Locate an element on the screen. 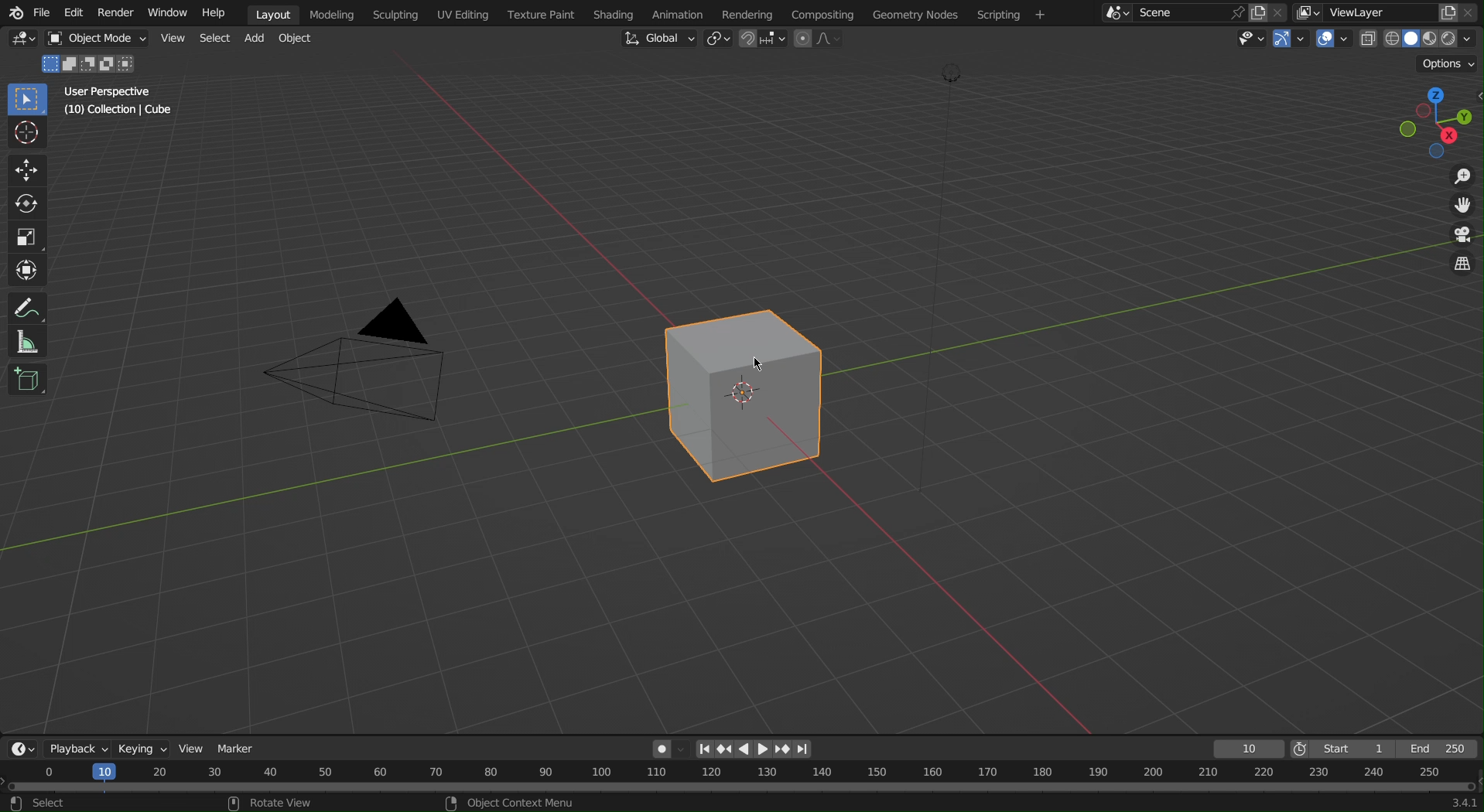 This screenshot has width=1484, height=812. Window is located at coordinates (169, 12).